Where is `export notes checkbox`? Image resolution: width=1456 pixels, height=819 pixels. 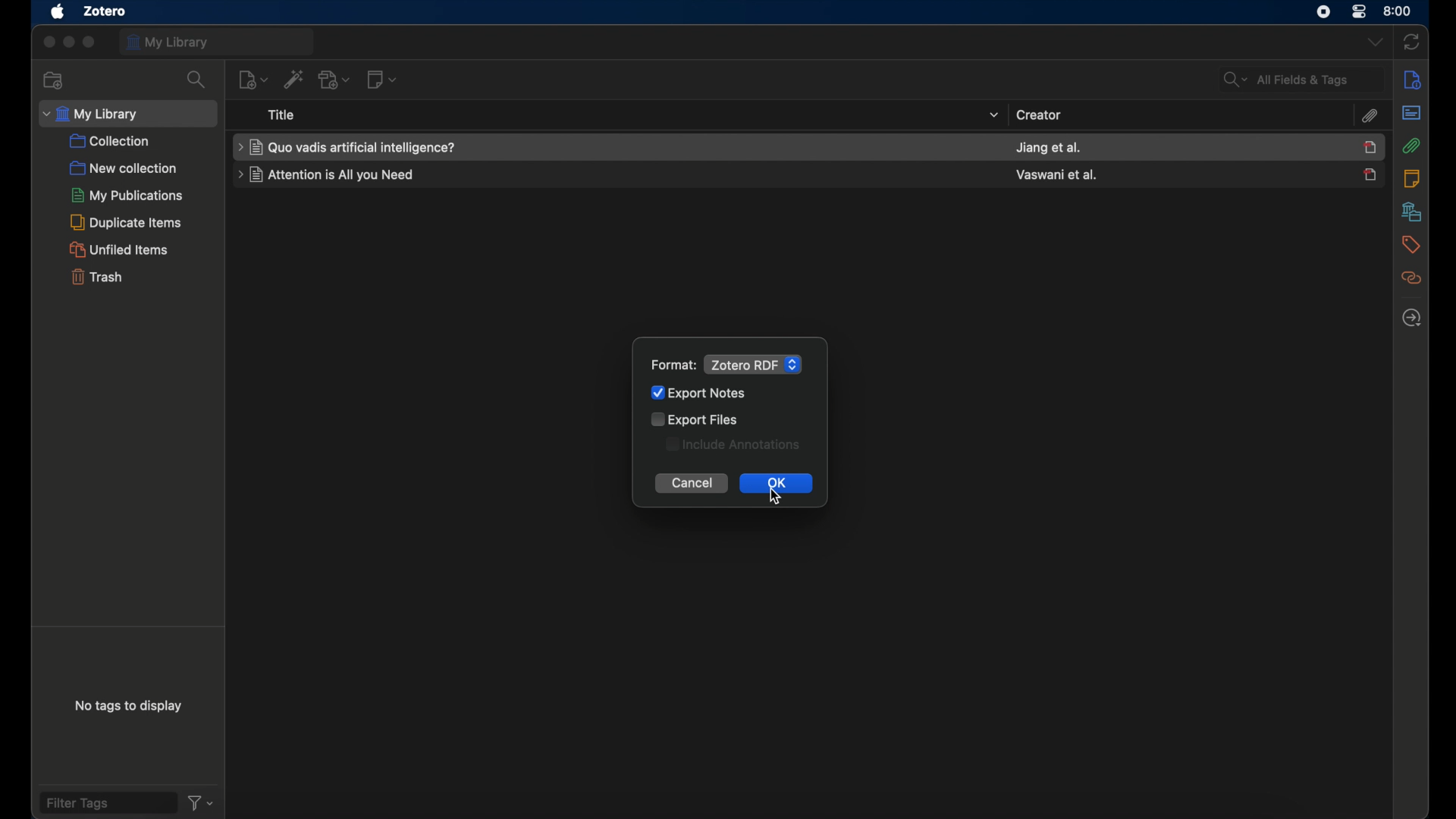 export notes checkbox is located at coordinates (701, 393).